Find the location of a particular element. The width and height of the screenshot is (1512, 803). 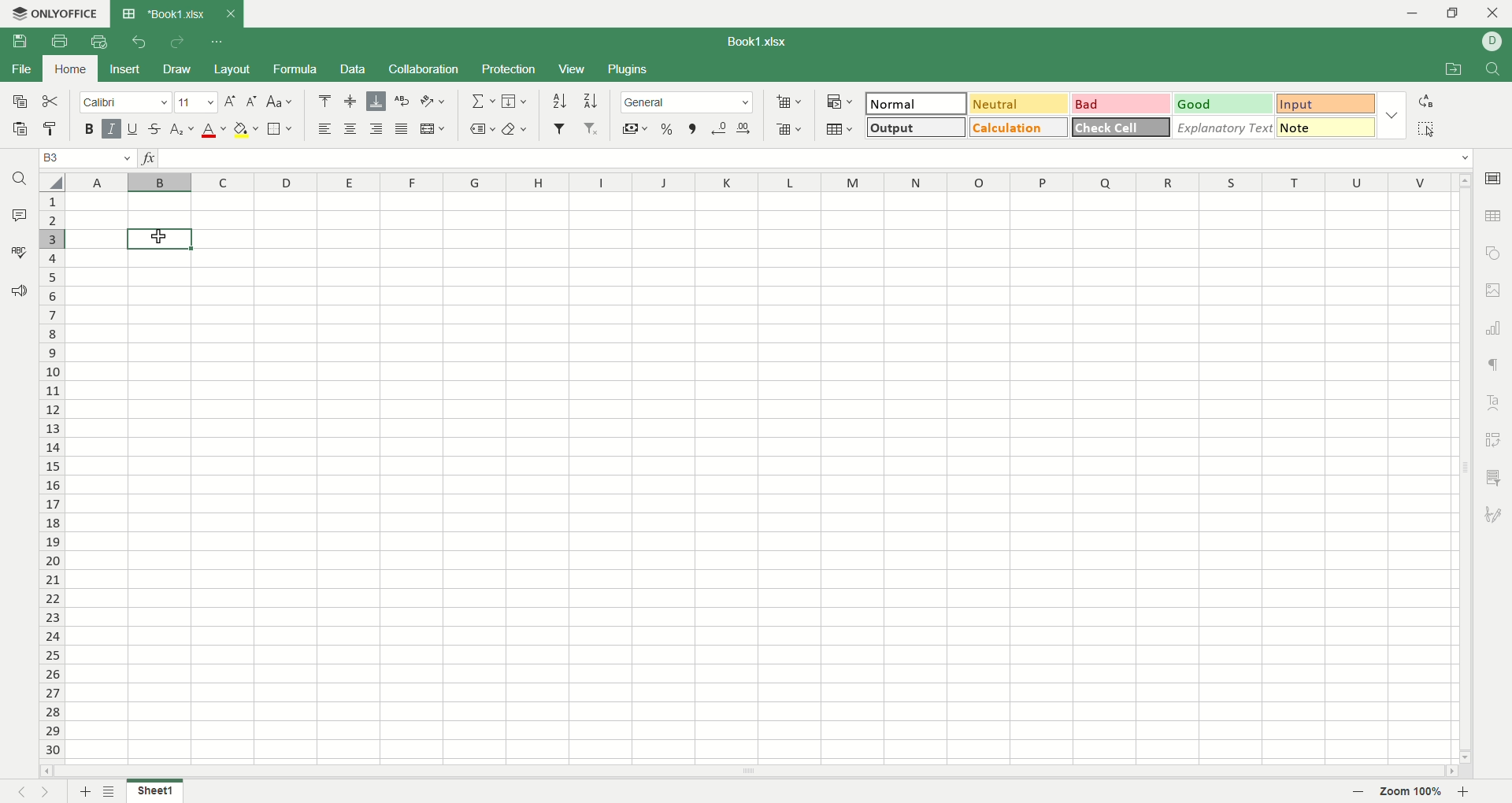

orientation is located at coordinates (435, 101).